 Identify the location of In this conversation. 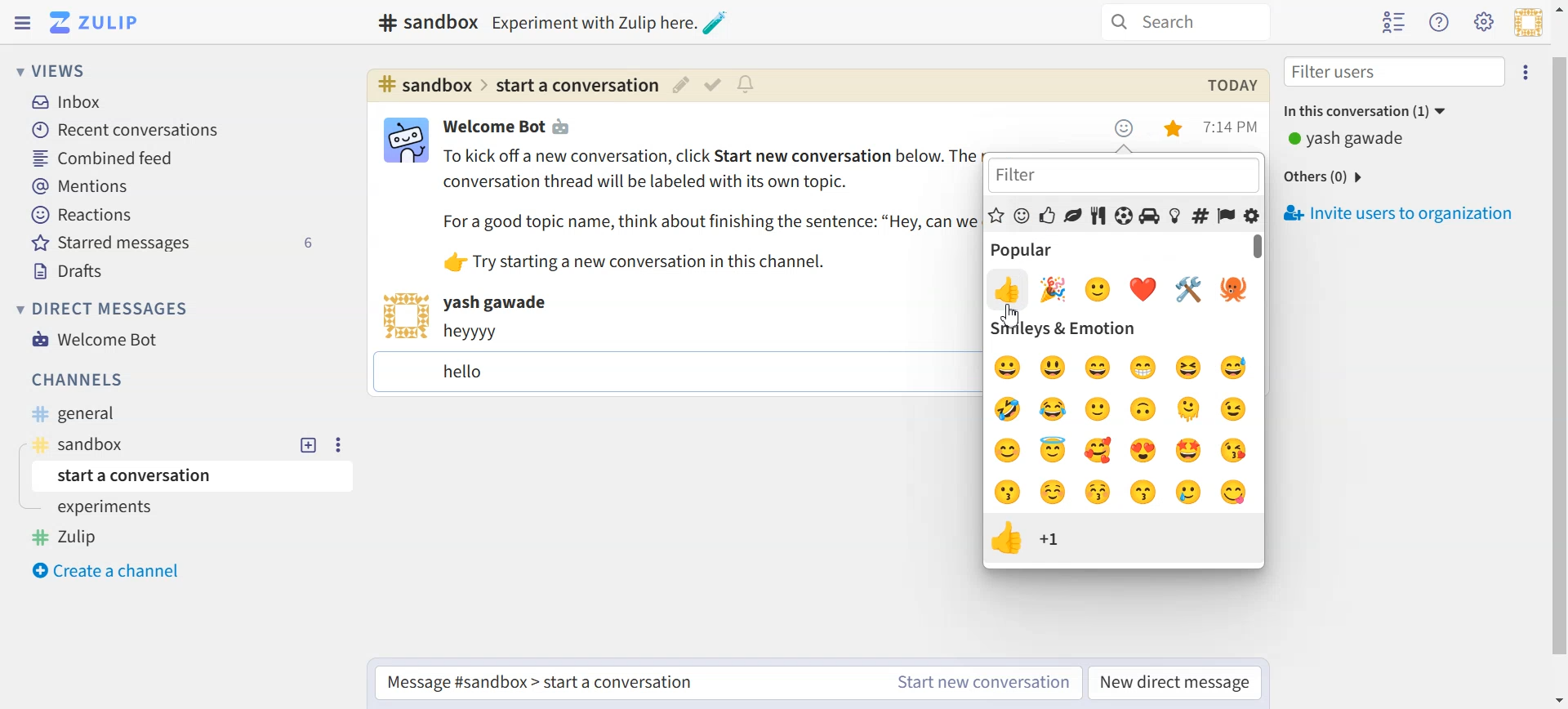
(1408, 109).